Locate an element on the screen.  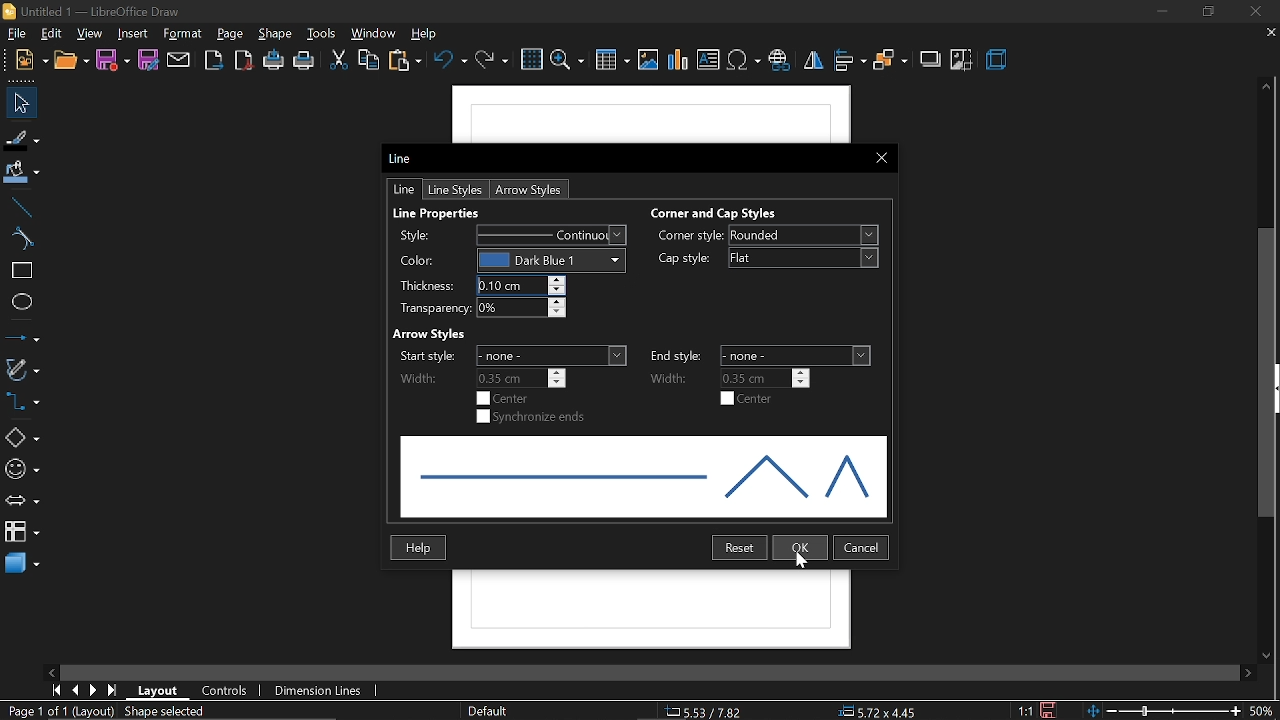
next page is located at coordinates (93, 691).